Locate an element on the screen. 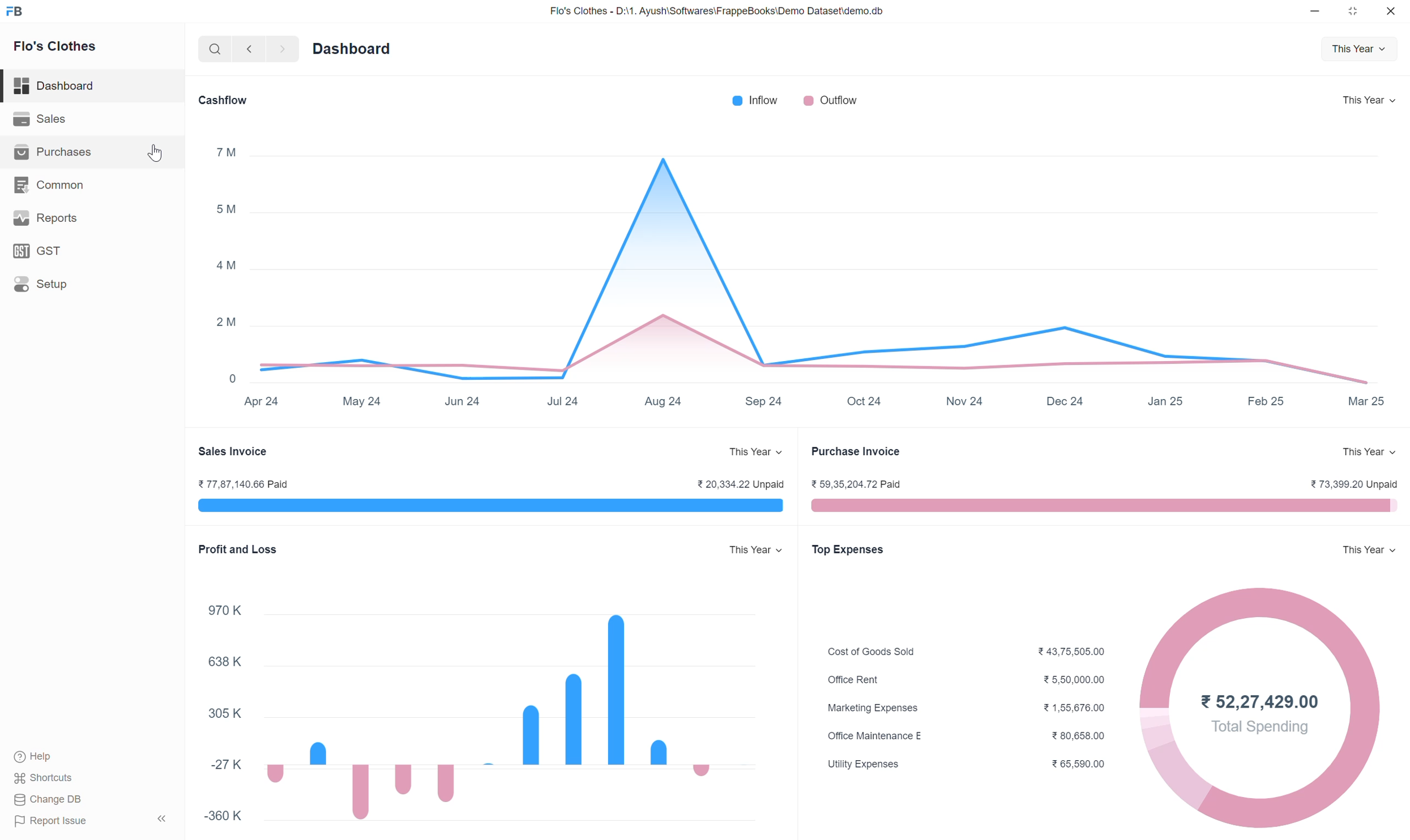 The image size is (1410, 840). Purchase Invoice is located at coordinates (857, 452).